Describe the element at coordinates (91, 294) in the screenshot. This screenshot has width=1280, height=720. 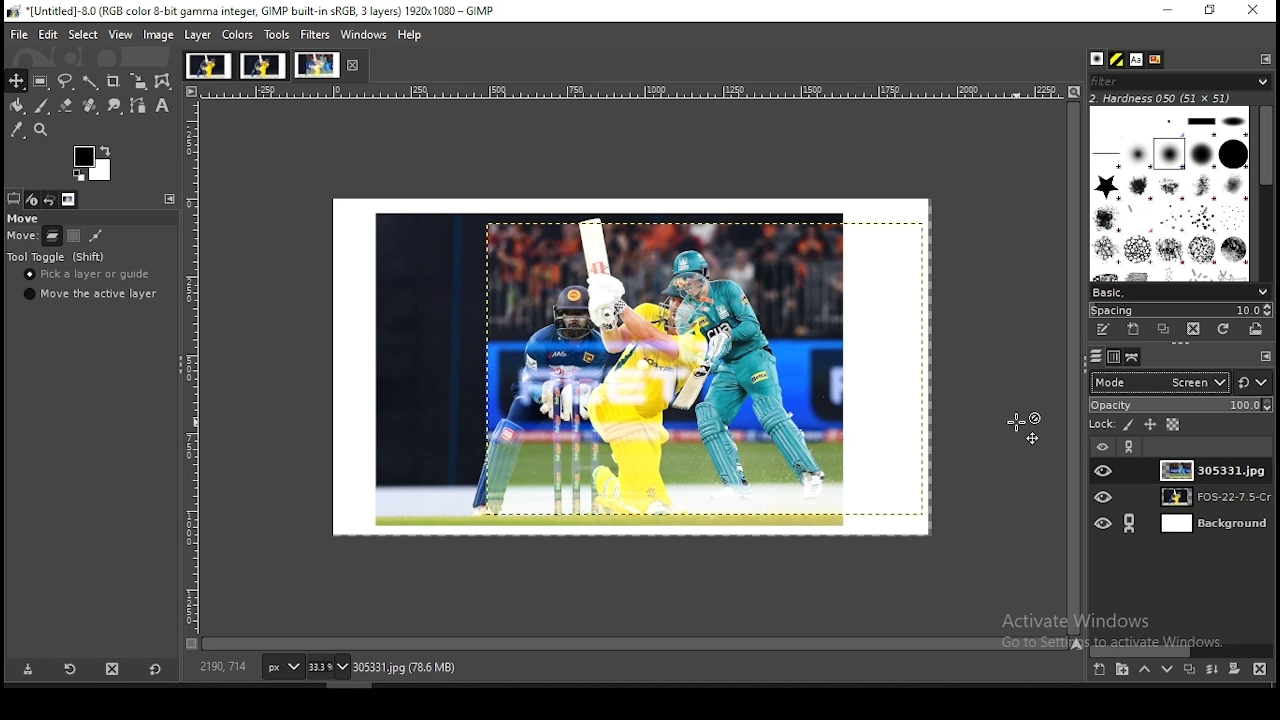
I see `move the active layer` at that location.